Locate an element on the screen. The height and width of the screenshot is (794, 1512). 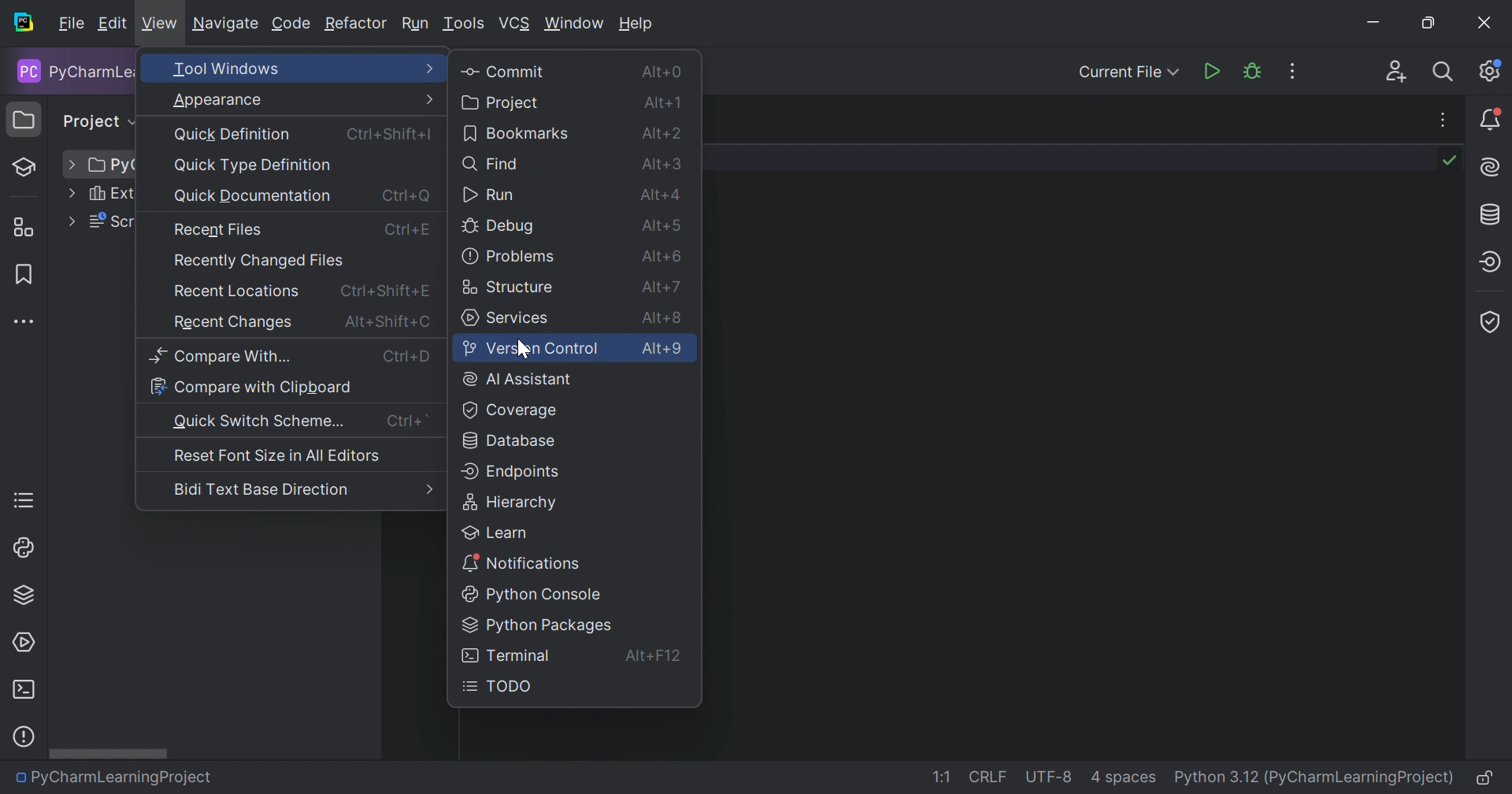
Cursor is located at coordinates (524, 349).